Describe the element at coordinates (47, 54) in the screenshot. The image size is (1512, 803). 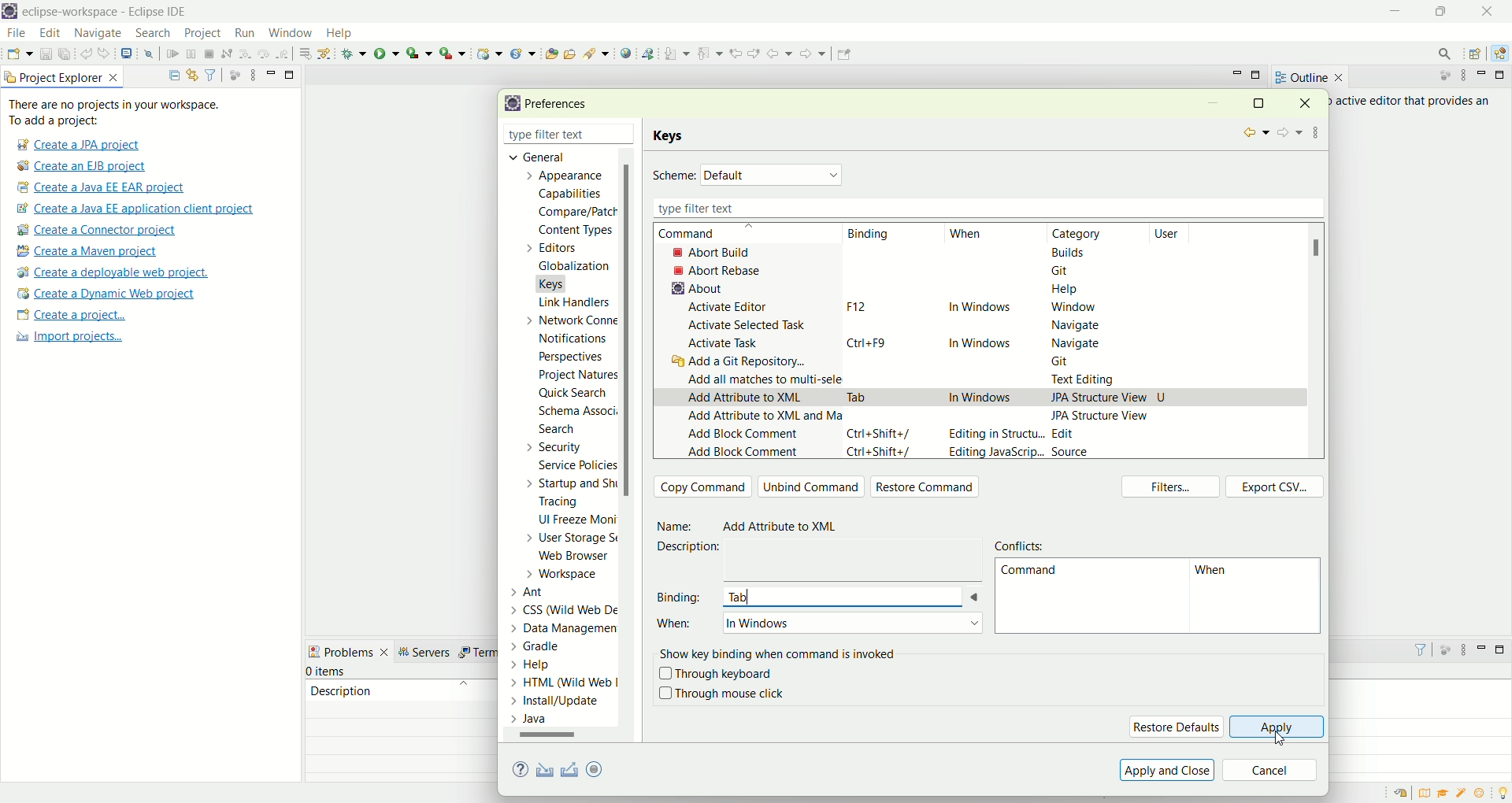
I see `save` at that location.